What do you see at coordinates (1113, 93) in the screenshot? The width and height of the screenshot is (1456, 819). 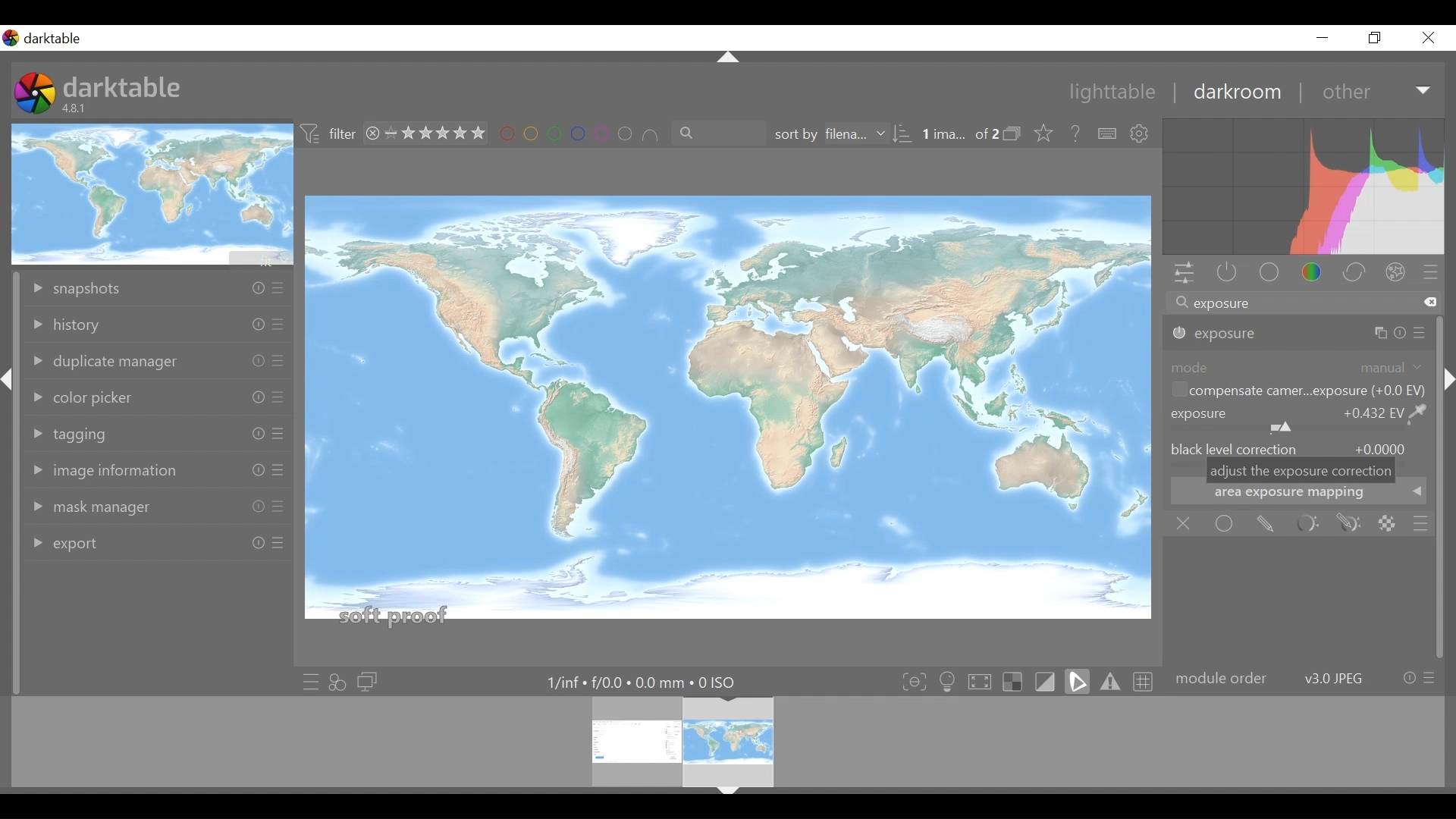 I see `lighttable` at bounding box center [1113, 93].